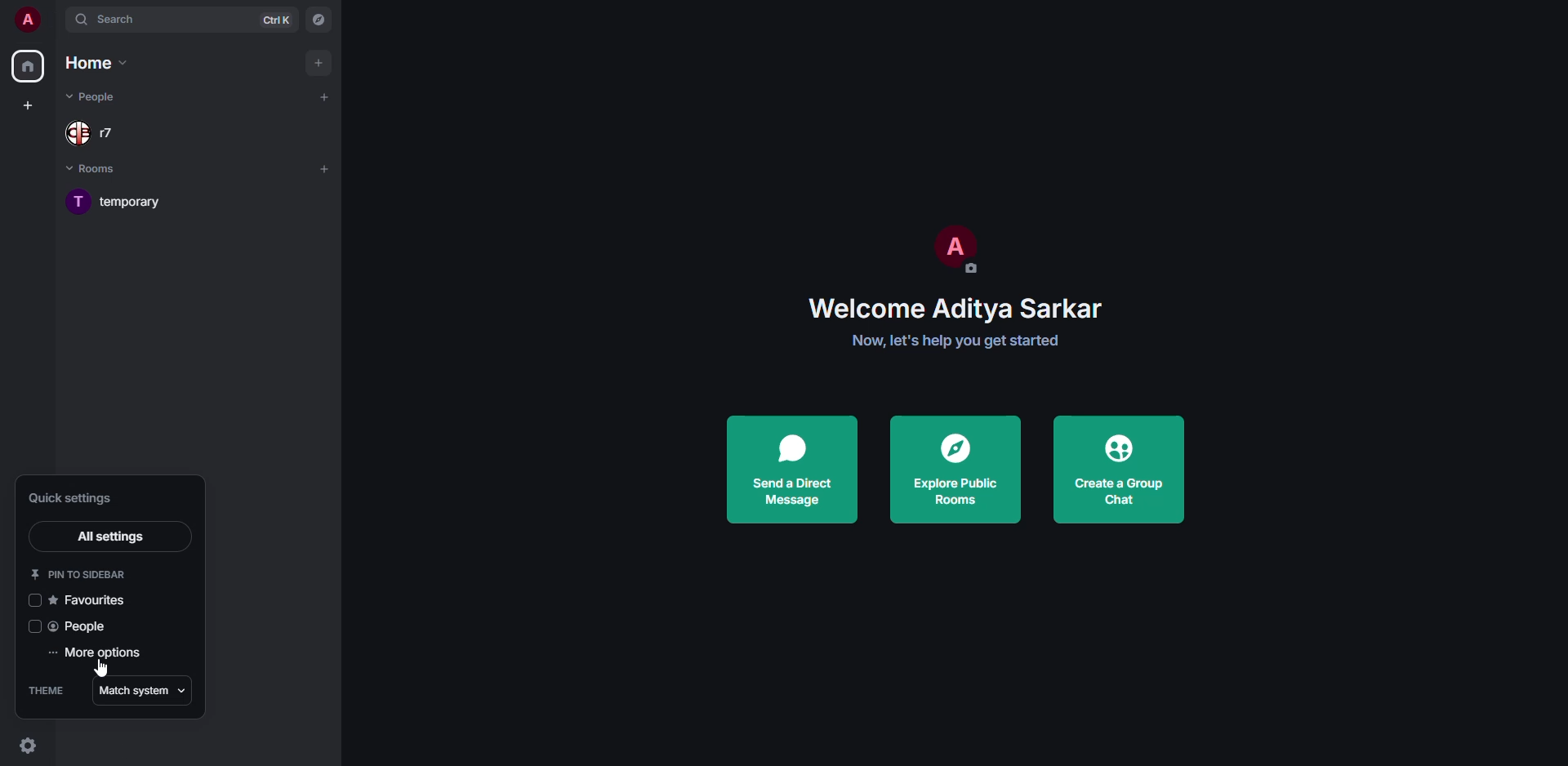  Describe the element at coordinates (324, 169) in the screenshot. I see `add` at that location.